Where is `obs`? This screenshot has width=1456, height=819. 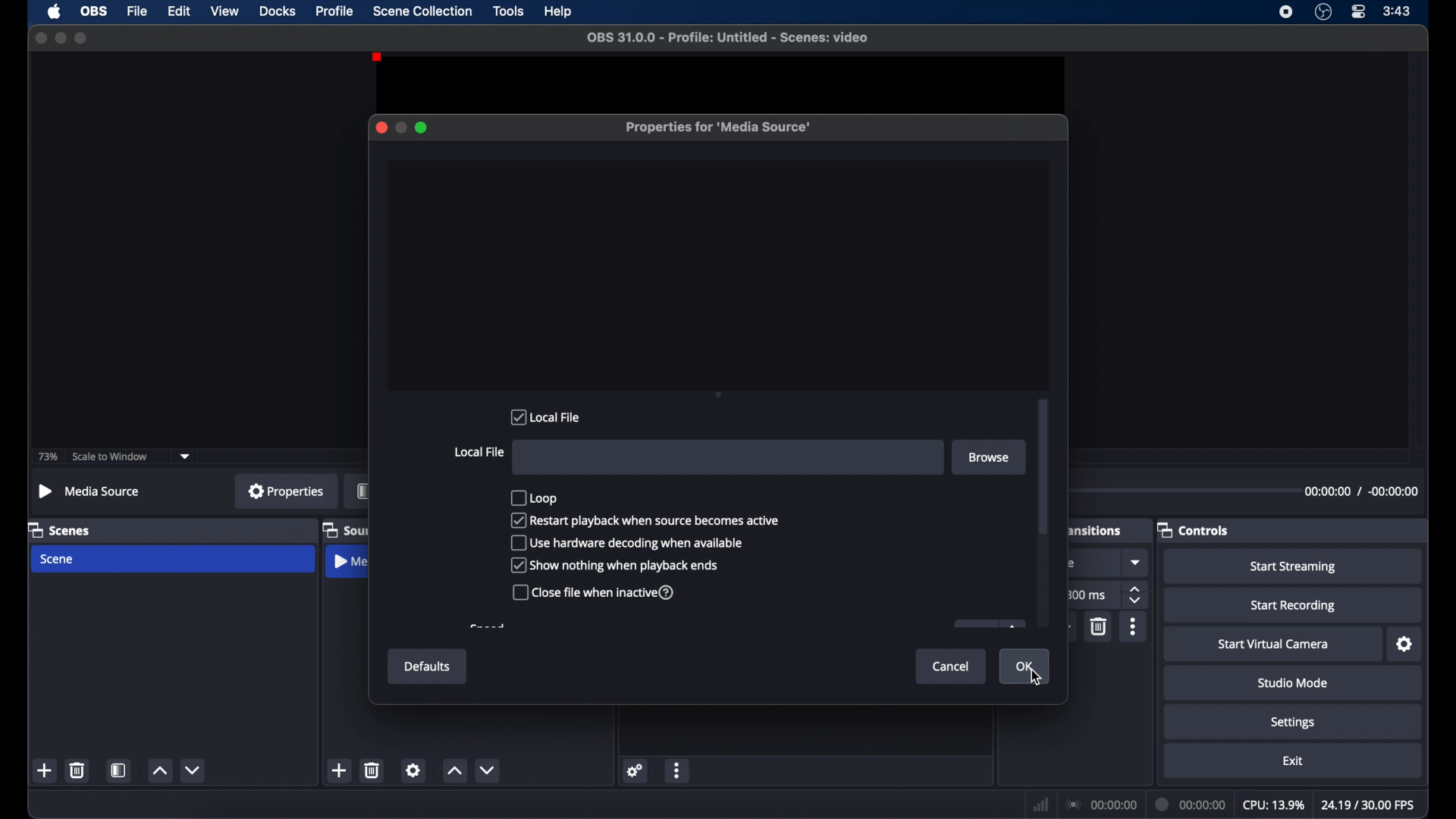
obs is located at coordinates (94, 11).